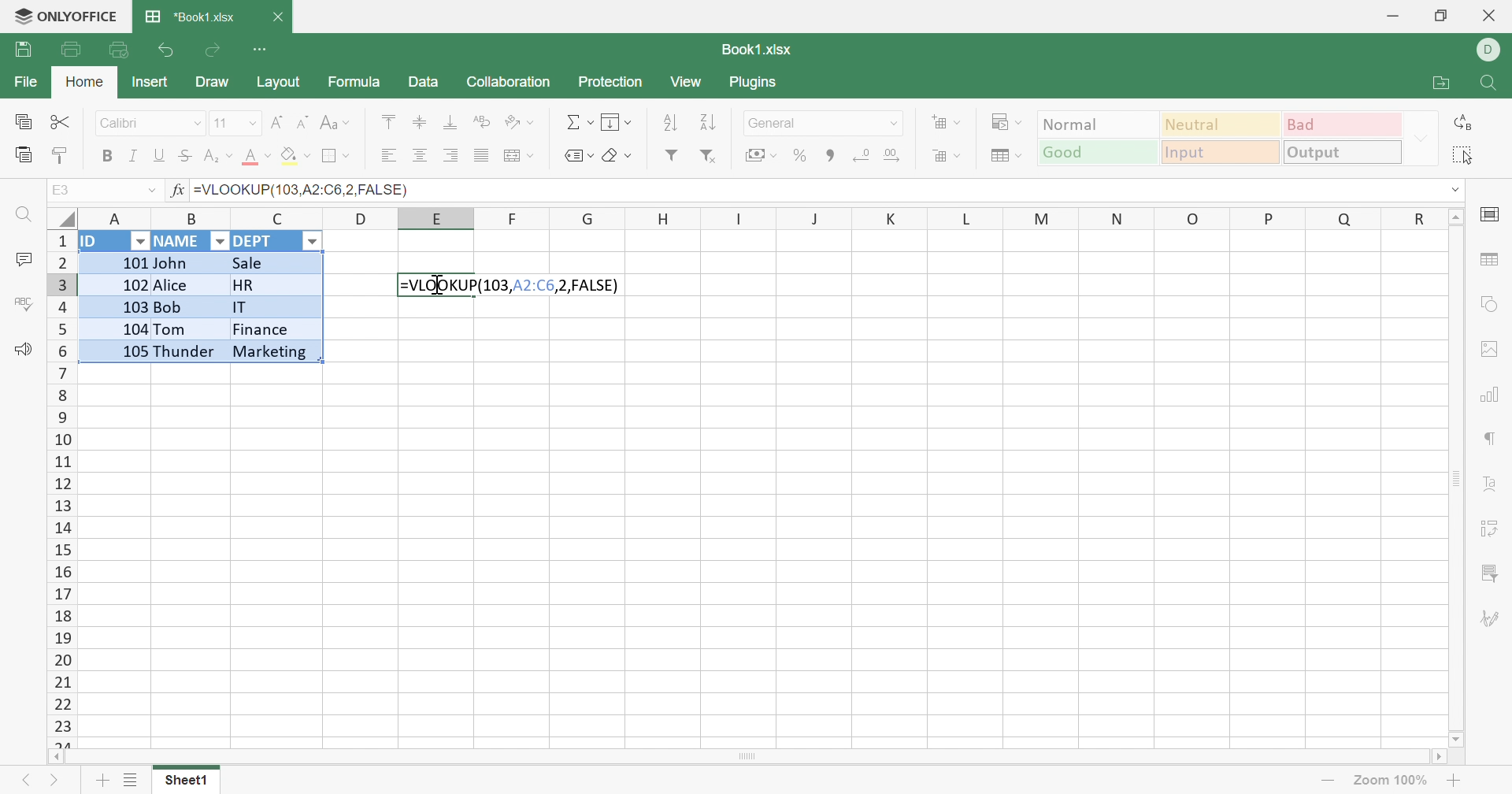  I want to click on Superscript / subscript, so click(219, 157).